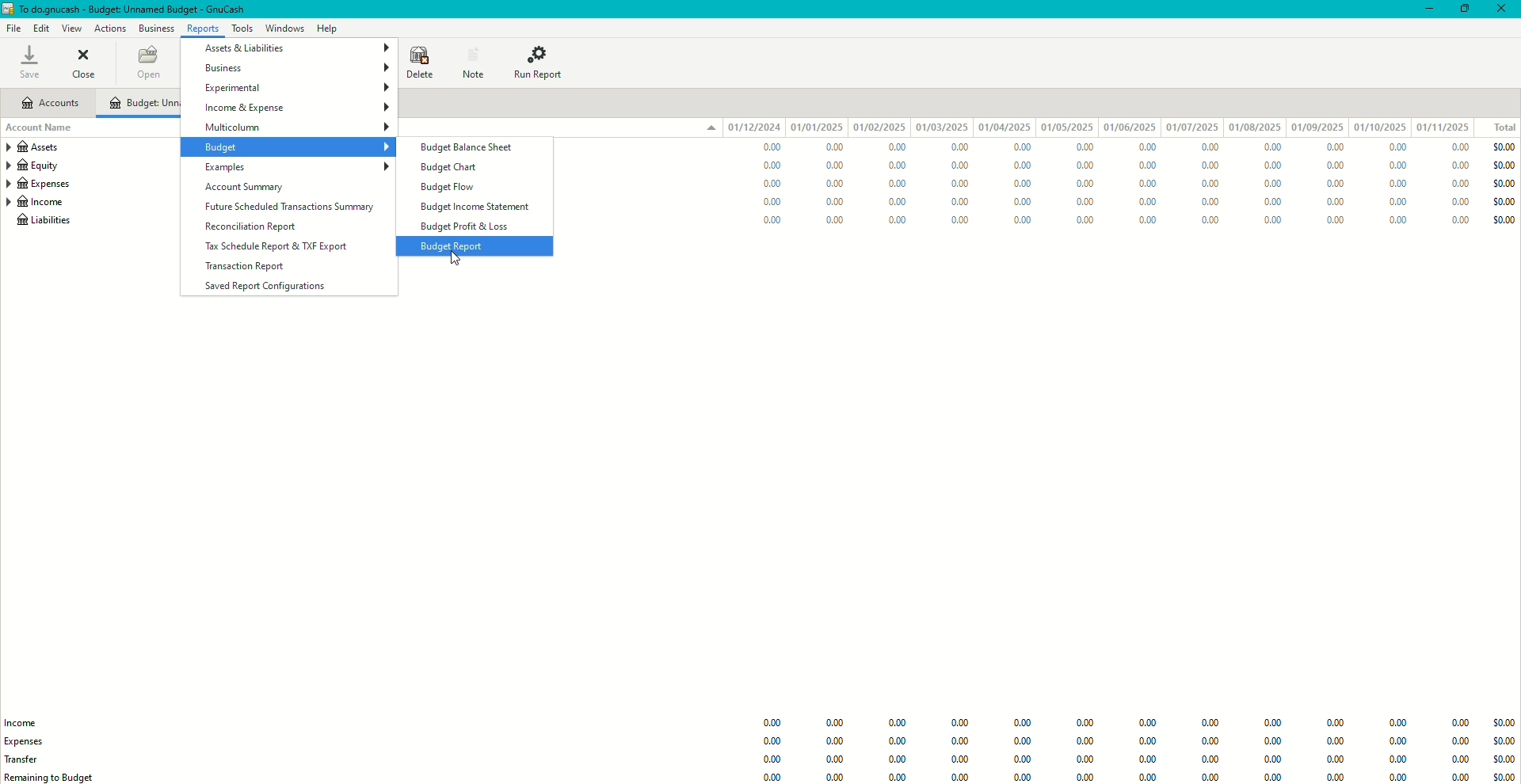  Describe the element at coordinates (1501, 183) in the screenshot. I see `$0.00` at that location.